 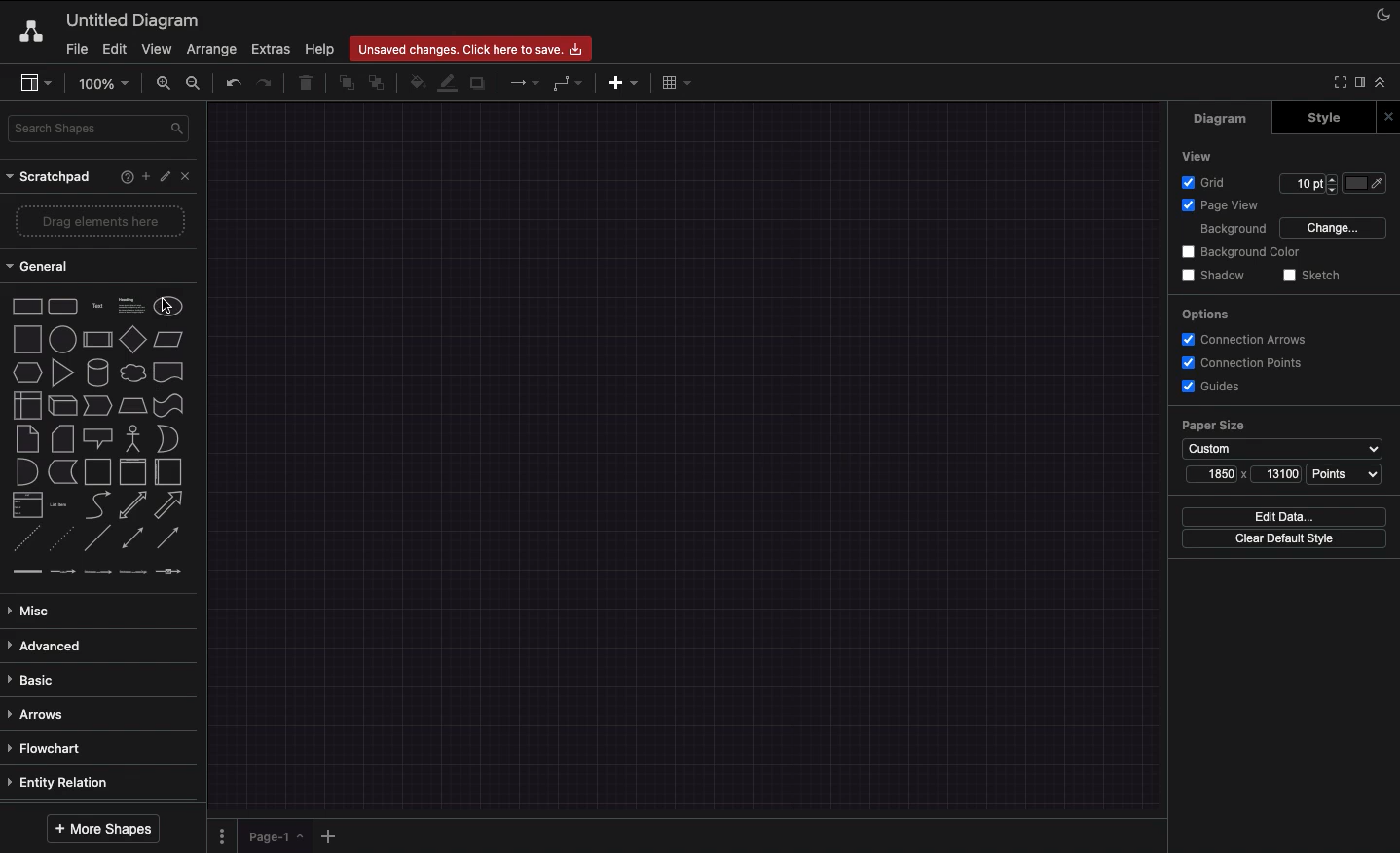 What do you see at coordinates (1284, 516) in the screenshot?
I see `Edit data` at bounding box center [1284, 516].